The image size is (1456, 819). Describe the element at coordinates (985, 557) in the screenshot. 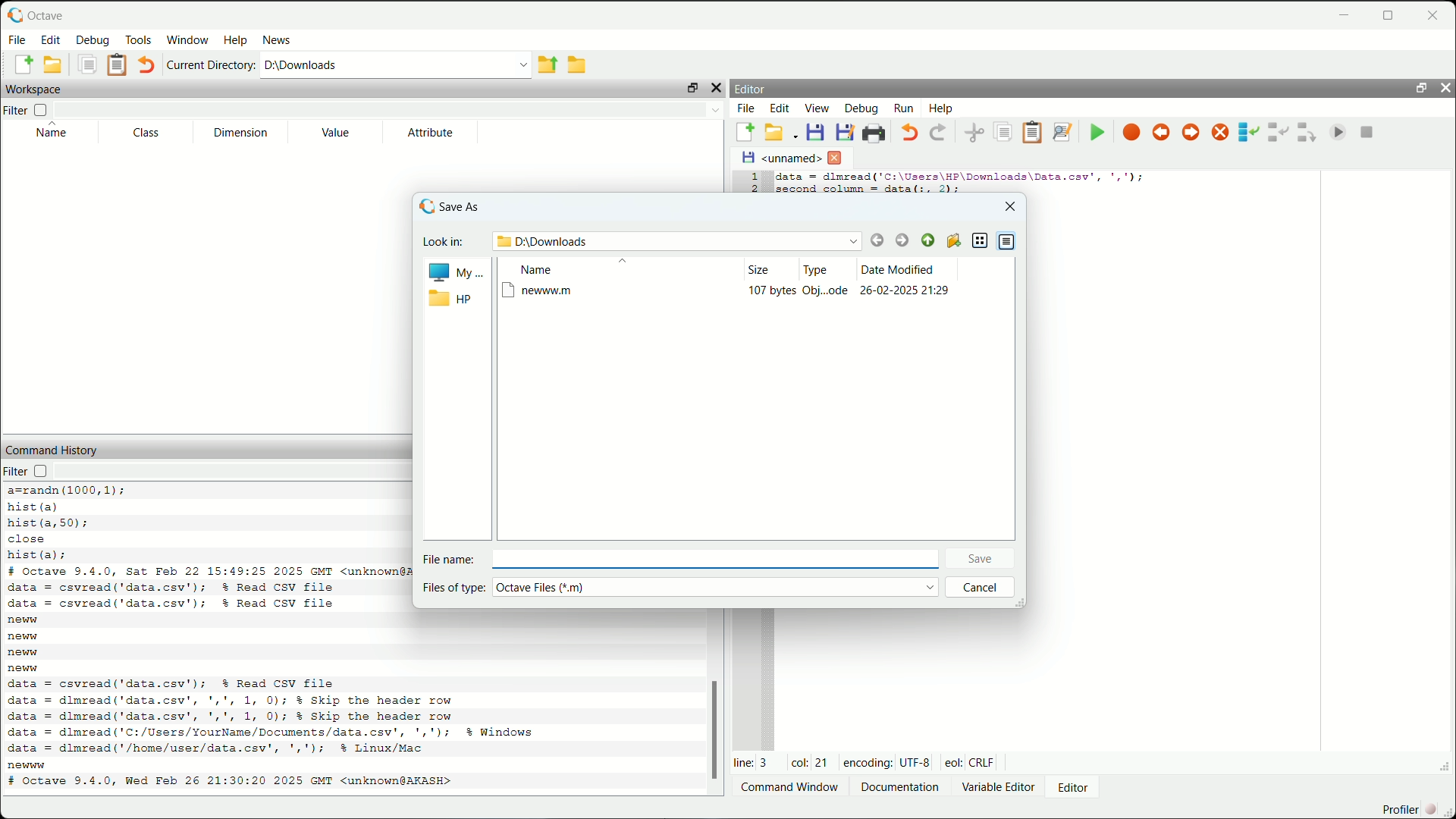

I see `save` at that location.